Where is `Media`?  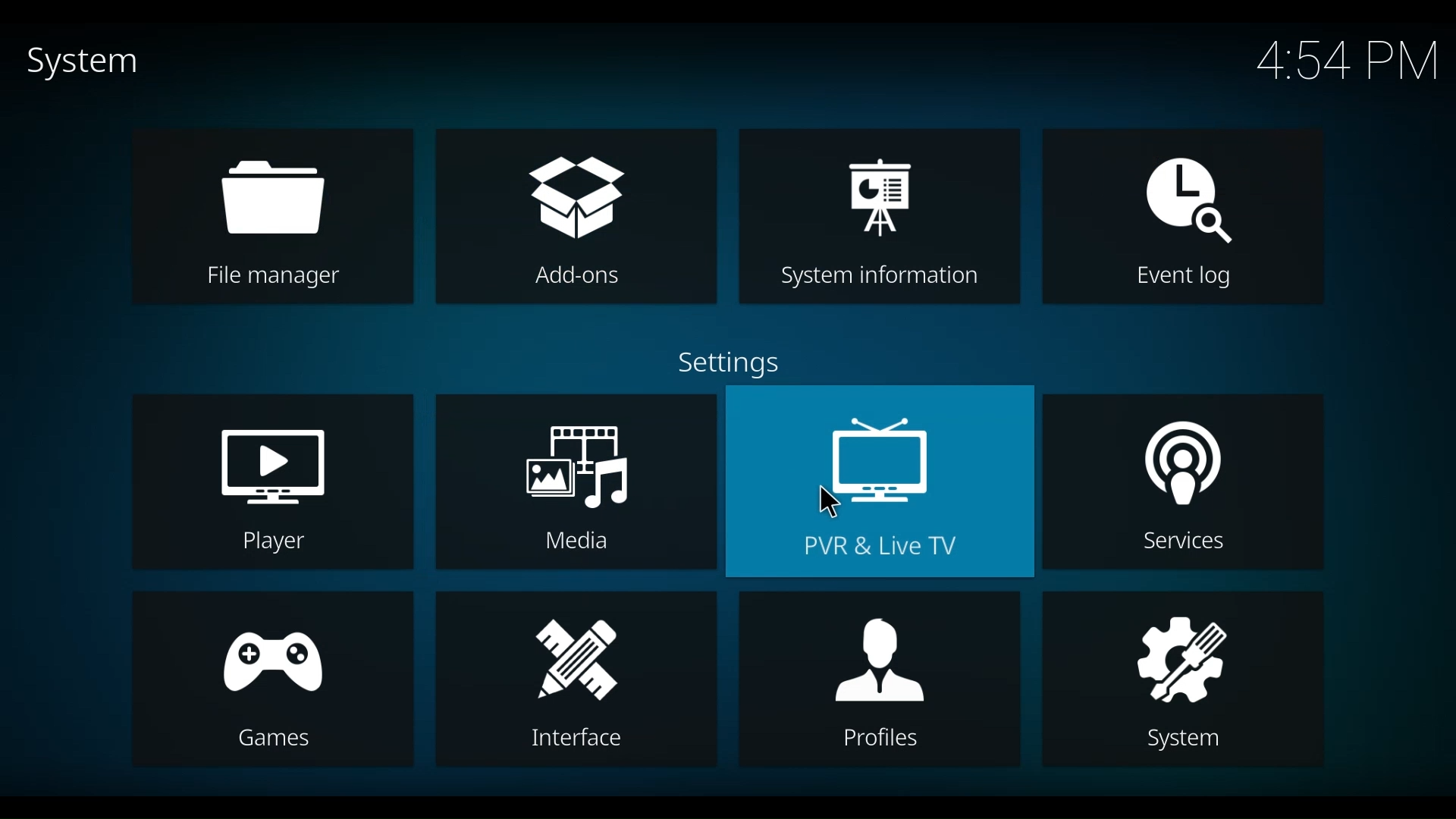 Media is located at coordinates (574, 482).